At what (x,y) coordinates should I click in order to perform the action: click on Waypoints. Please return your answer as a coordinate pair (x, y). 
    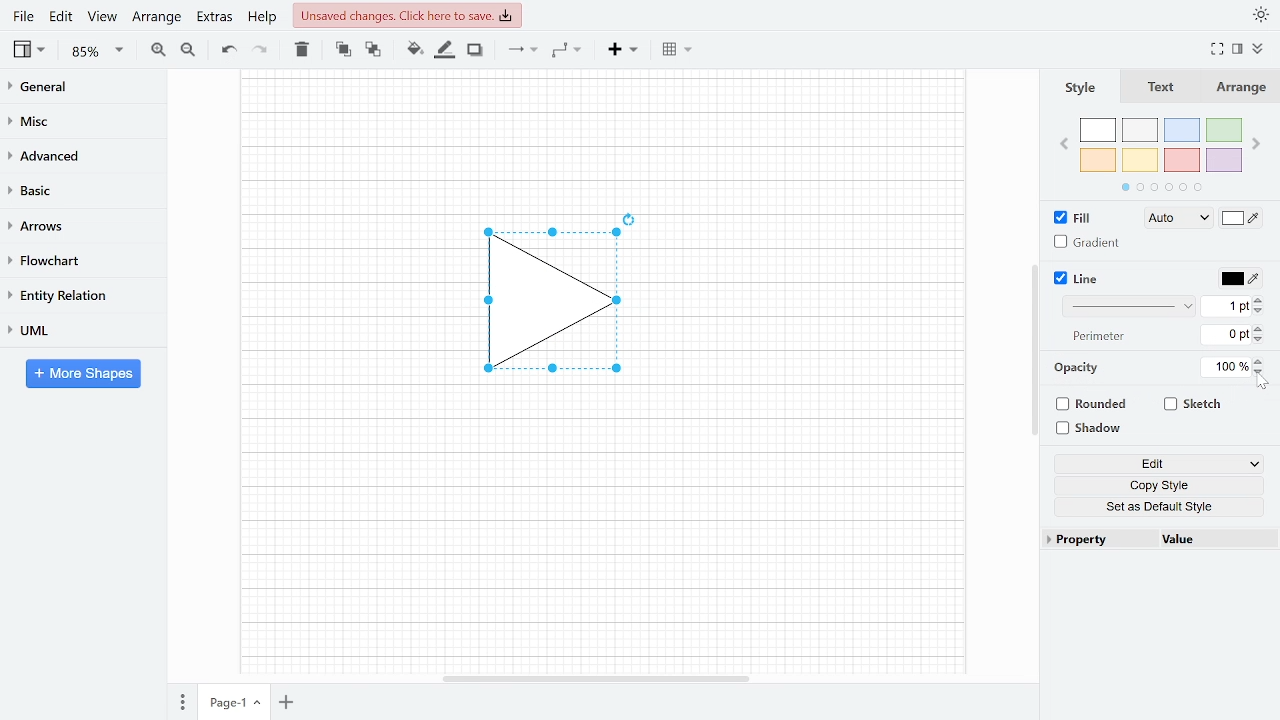
    Looking at the image, I should click on (568, 49).